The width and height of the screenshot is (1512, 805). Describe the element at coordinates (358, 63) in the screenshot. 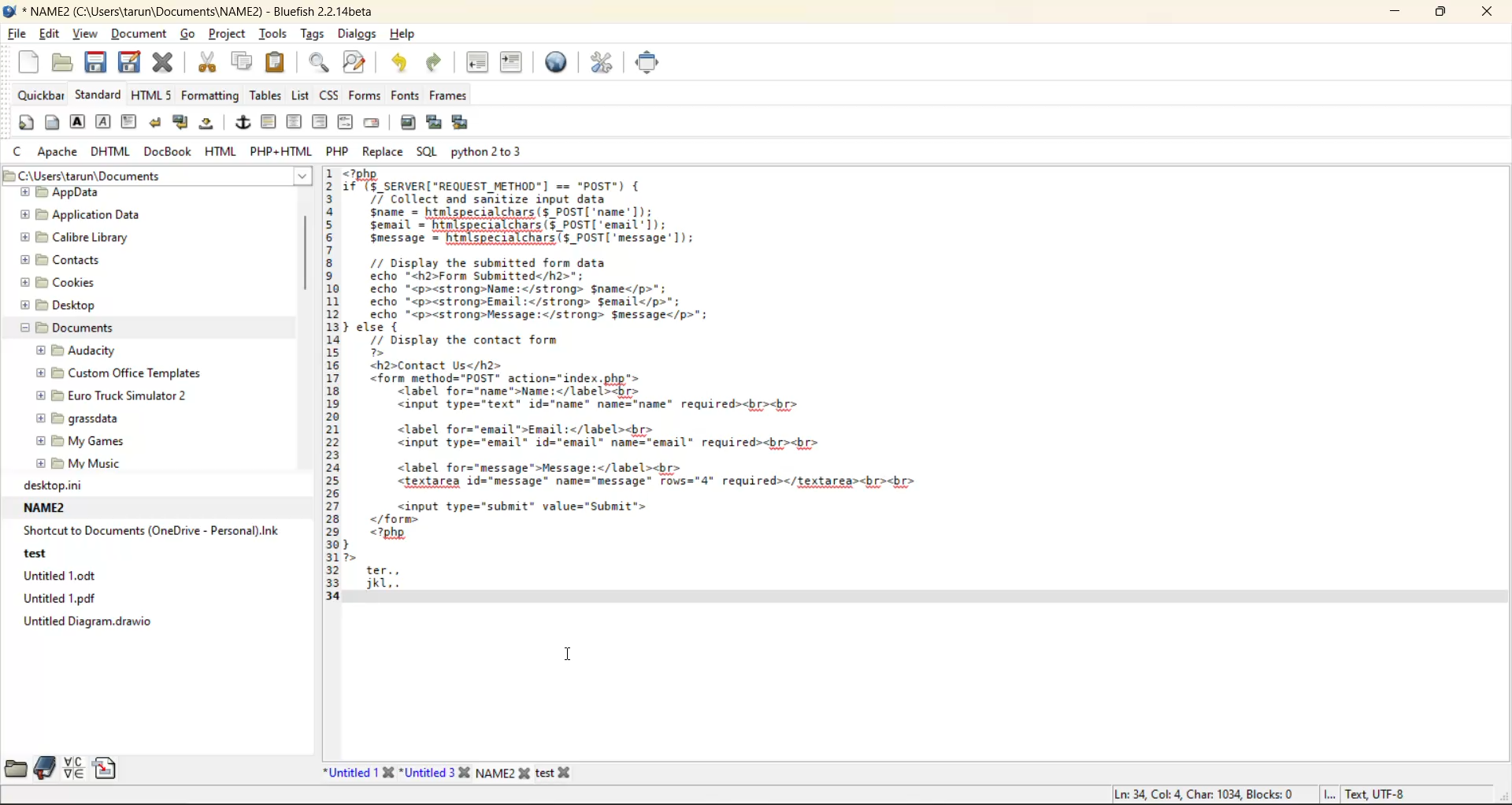

I see `find and replace` at that location.